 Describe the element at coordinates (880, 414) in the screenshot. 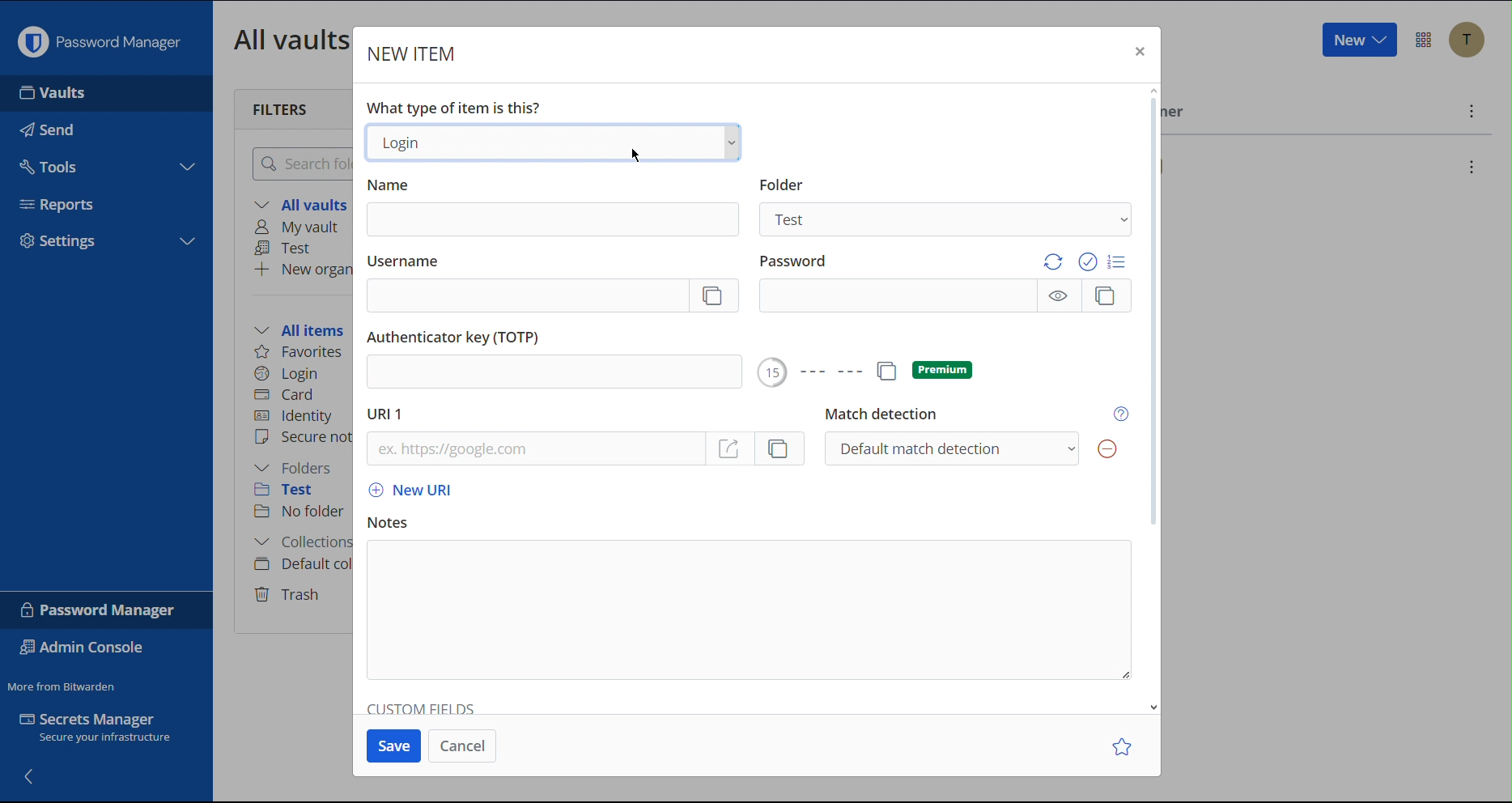

I see `Match Detection` at that location.